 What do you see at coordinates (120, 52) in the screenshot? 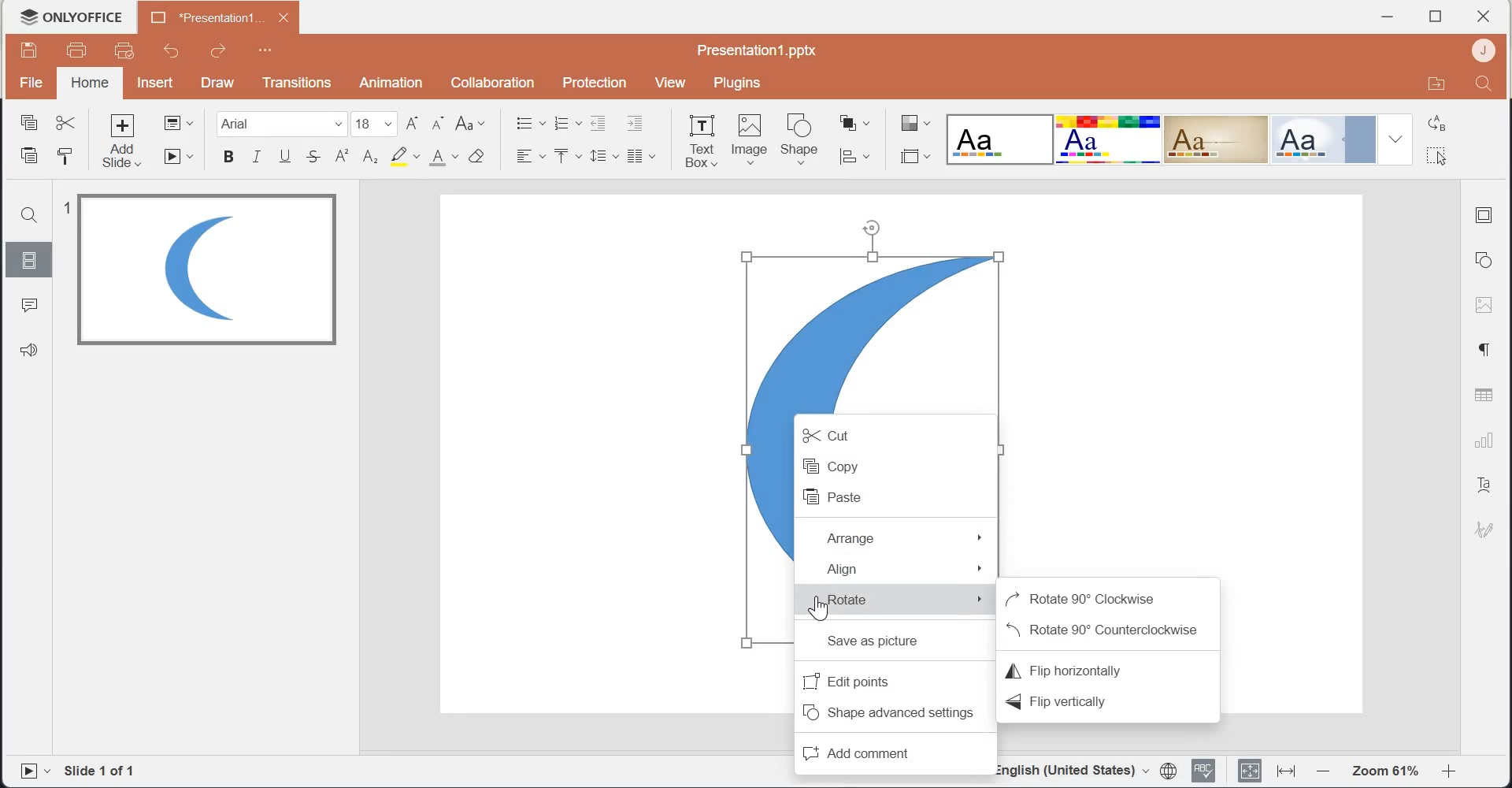
I see `Quick print` at bounding box center [120, 52].